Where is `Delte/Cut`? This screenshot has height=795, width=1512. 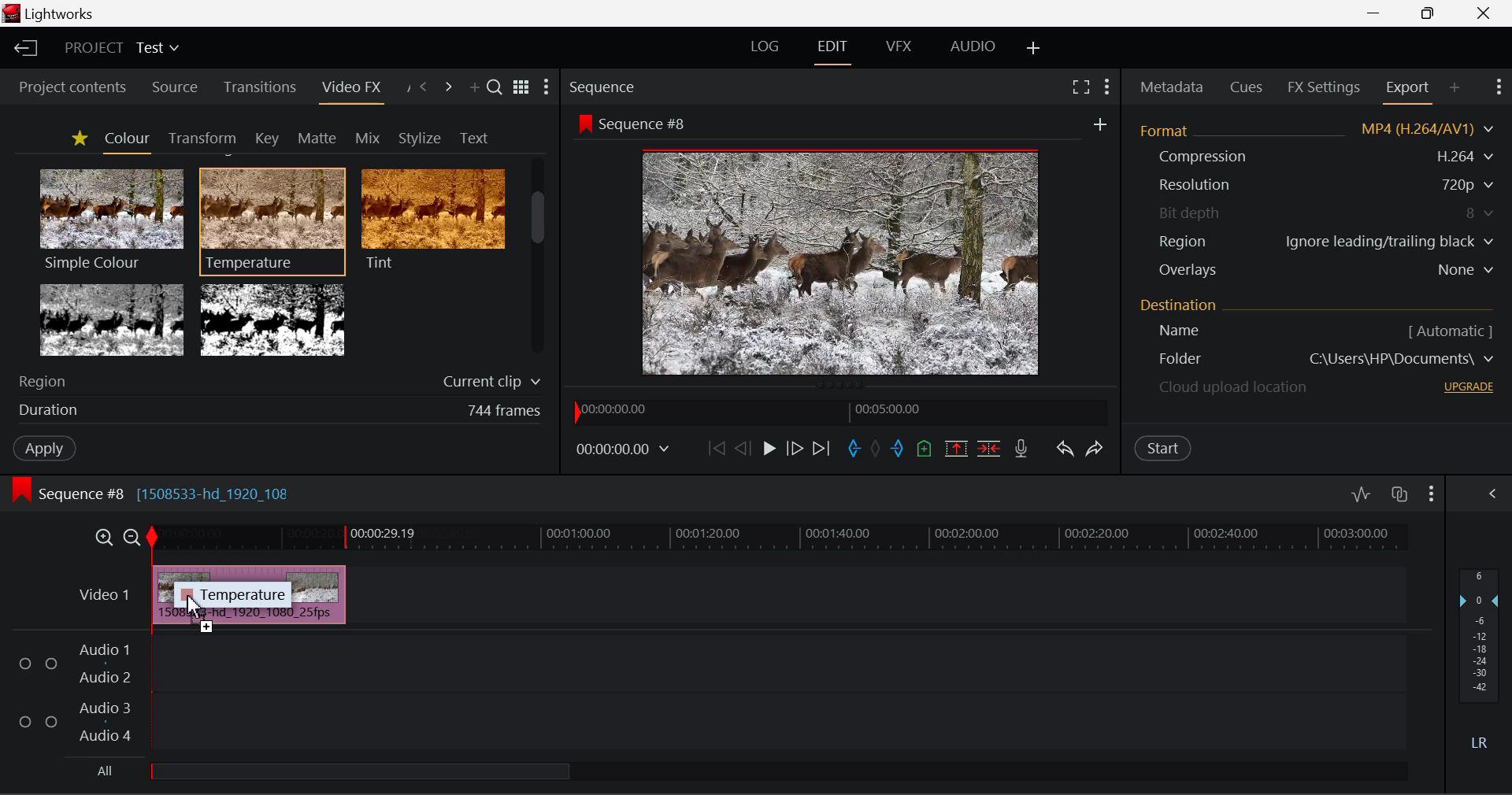
Delte/Cut is located at coordinates (991, 449).